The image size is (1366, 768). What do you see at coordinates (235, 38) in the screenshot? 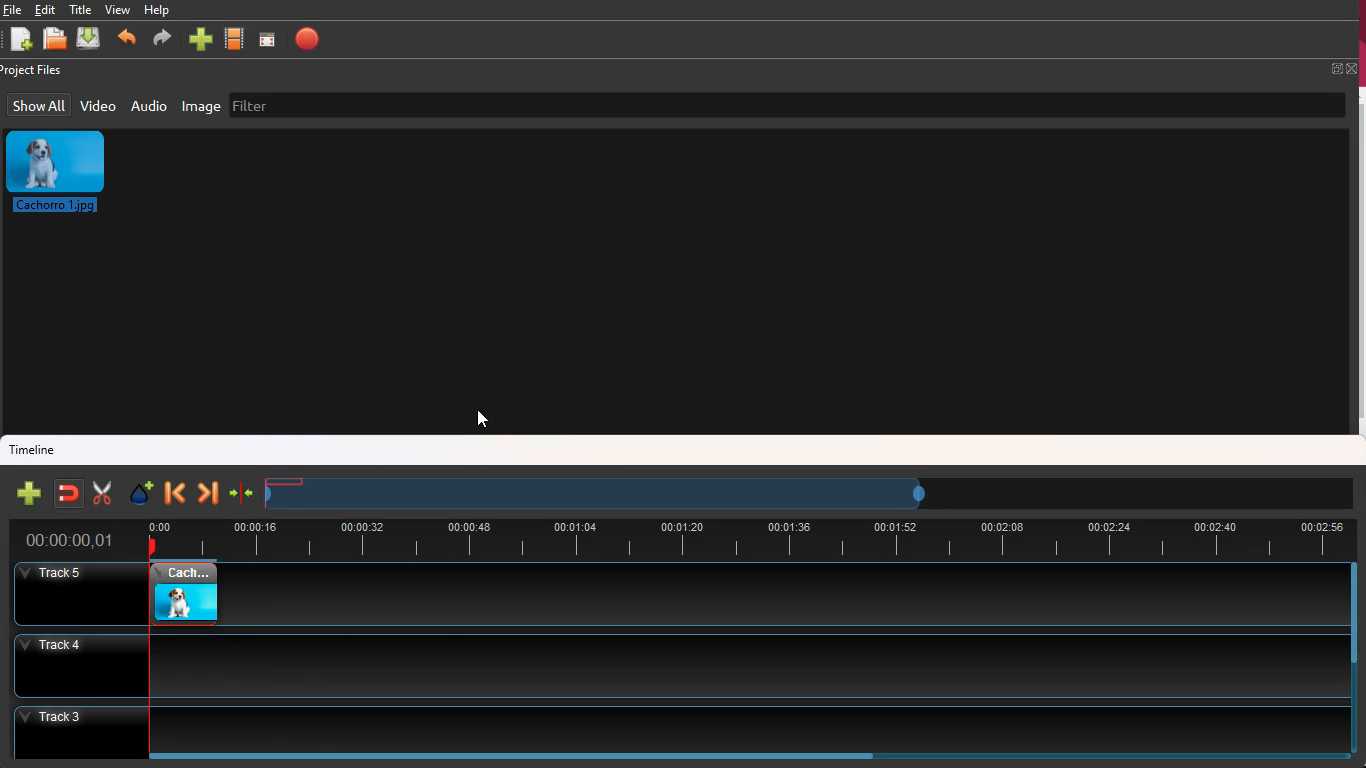
I see `movie` at bounding box center [235, 38].